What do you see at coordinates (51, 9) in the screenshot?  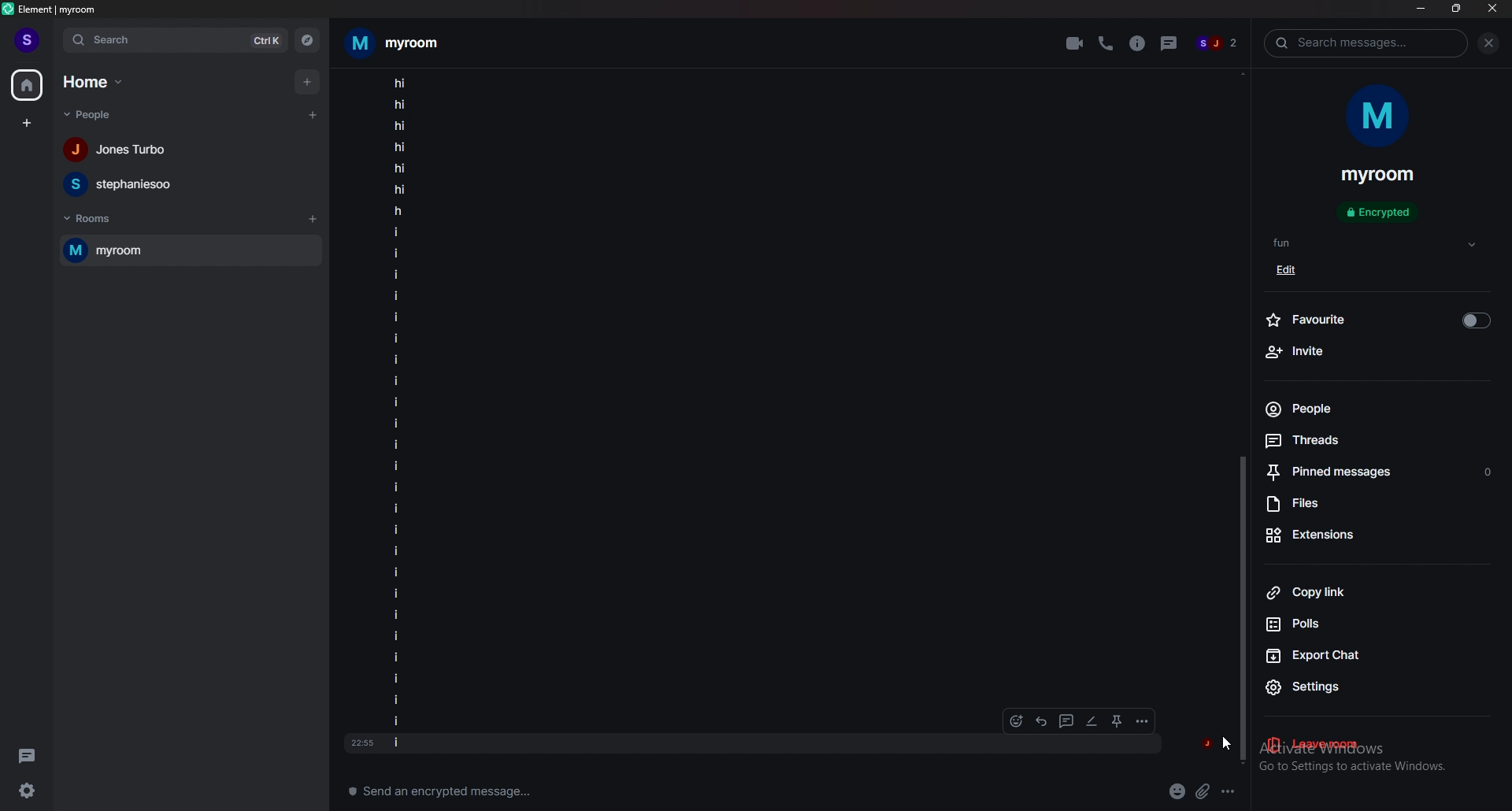 I see `element | myroom` at bounding box center [51, 9].